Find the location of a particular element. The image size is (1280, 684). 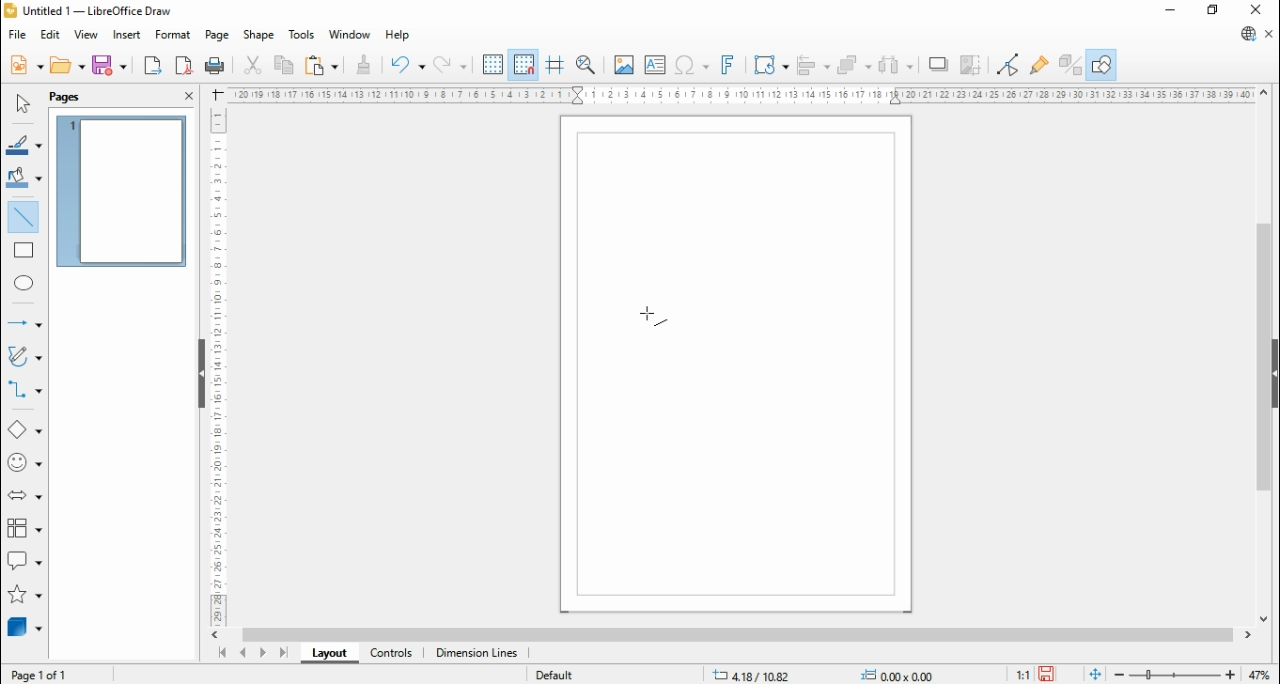

fit document to window is located at coordinates (1095, 675).